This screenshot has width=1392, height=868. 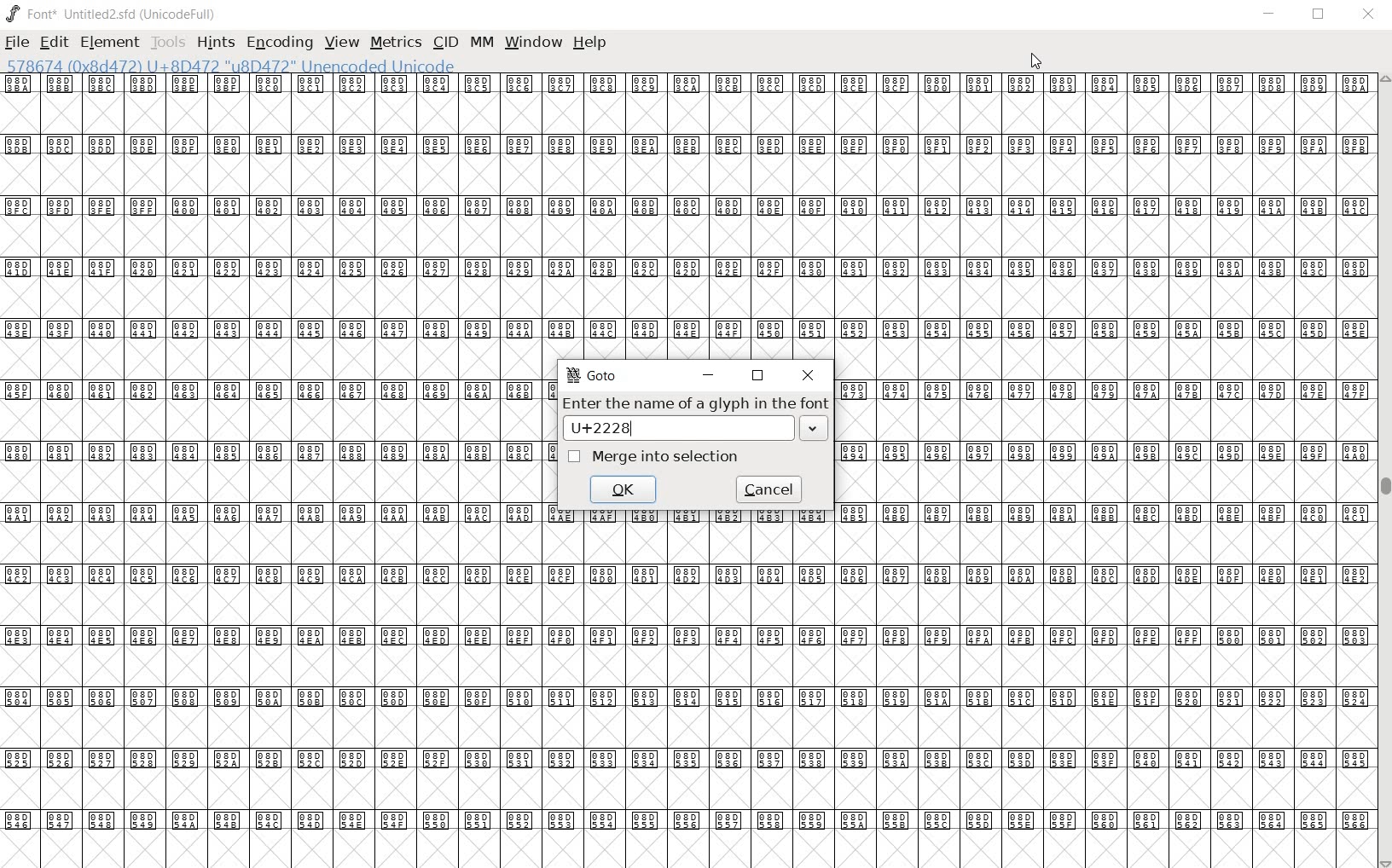 I want to click on close, so click(x=808, y=376).